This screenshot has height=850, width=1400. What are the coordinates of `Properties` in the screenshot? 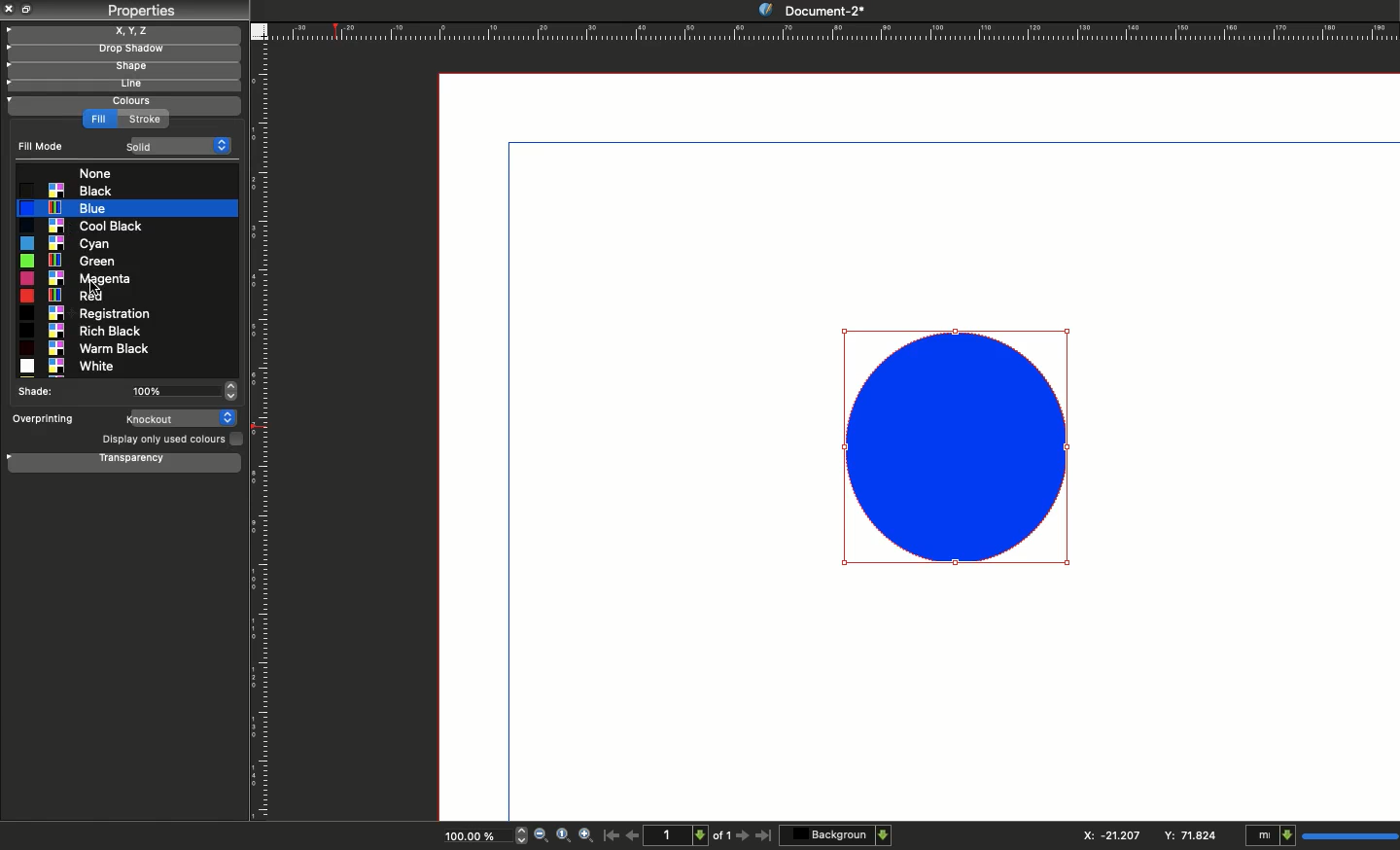 It's located at (140, 11).